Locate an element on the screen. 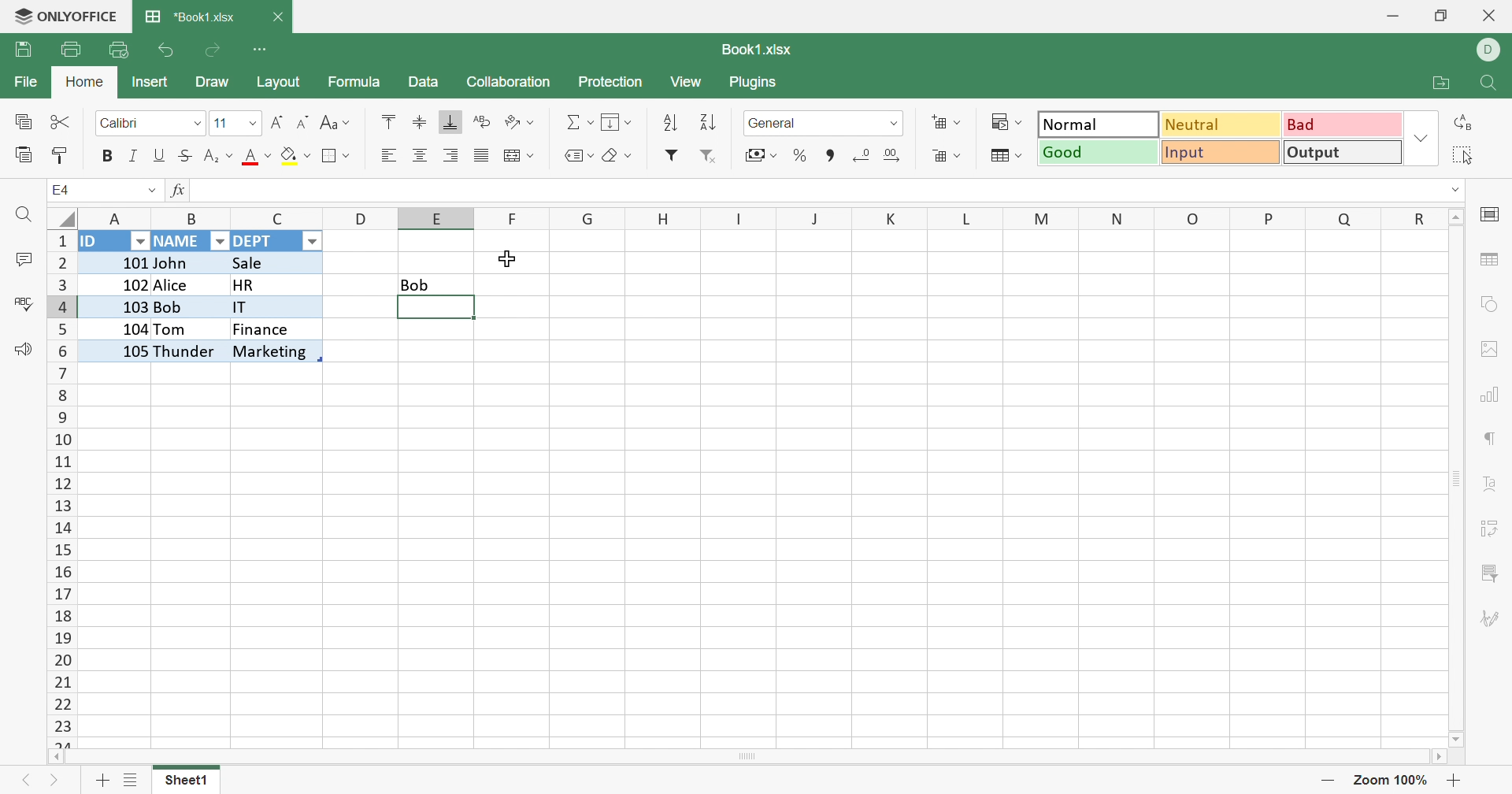  Underline is located at coordinates (160, 158).